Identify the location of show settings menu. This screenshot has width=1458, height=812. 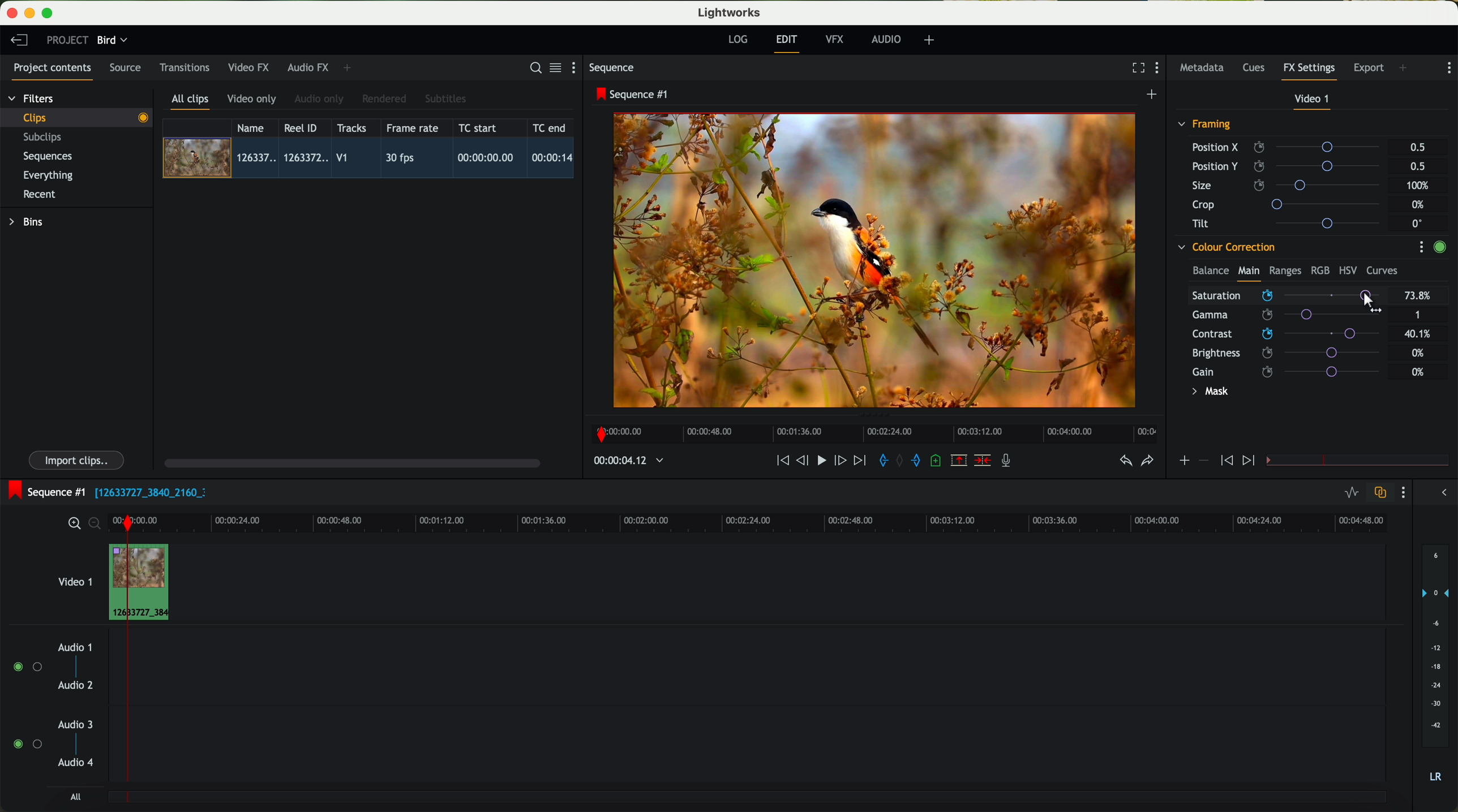
(1448, 68).